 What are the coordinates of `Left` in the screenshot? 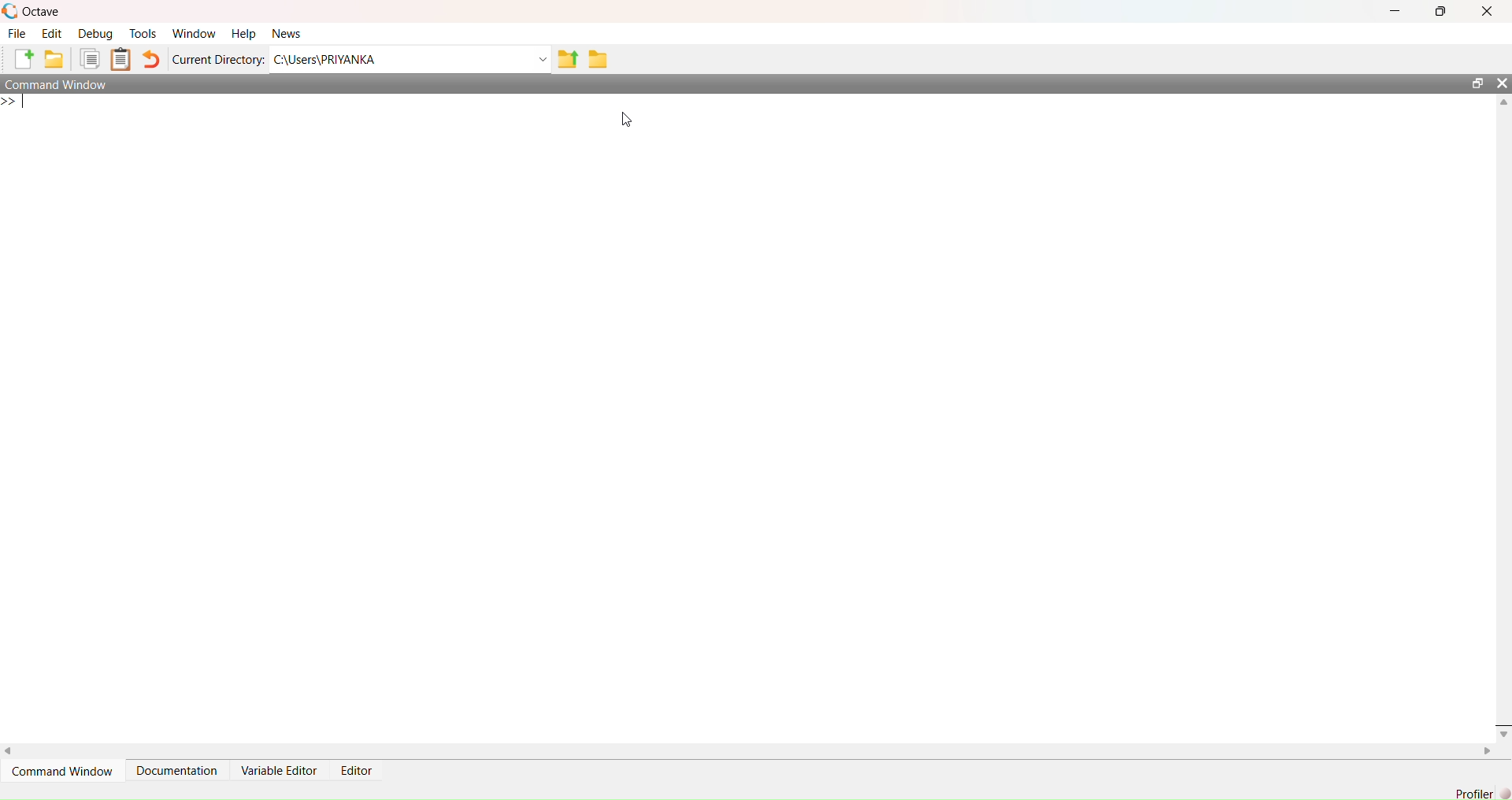 It's located at (14, 750).